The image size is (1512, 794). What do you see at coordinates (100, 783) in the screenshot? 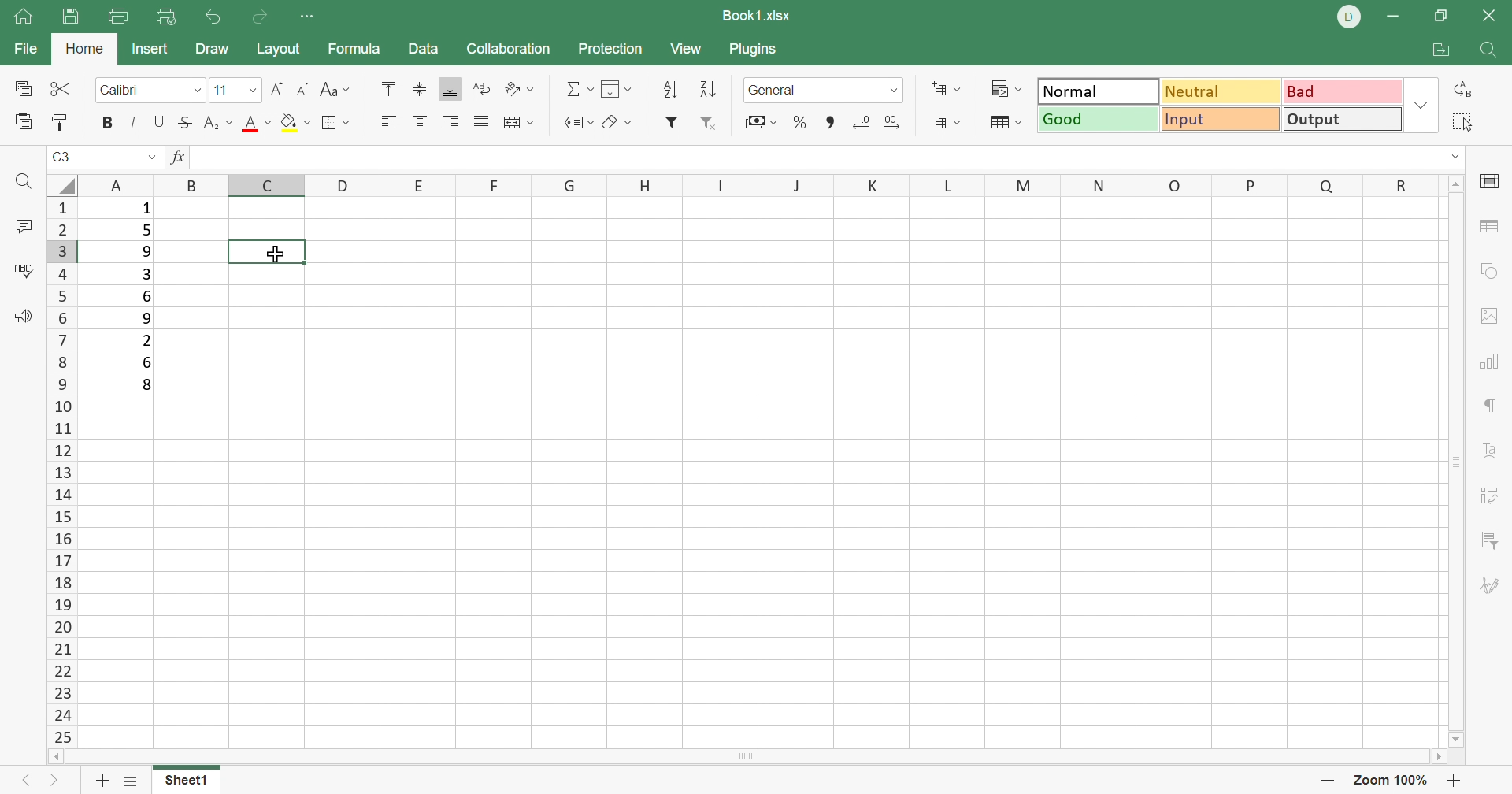
I see `Add sheet` at bounding box center [100, 783].